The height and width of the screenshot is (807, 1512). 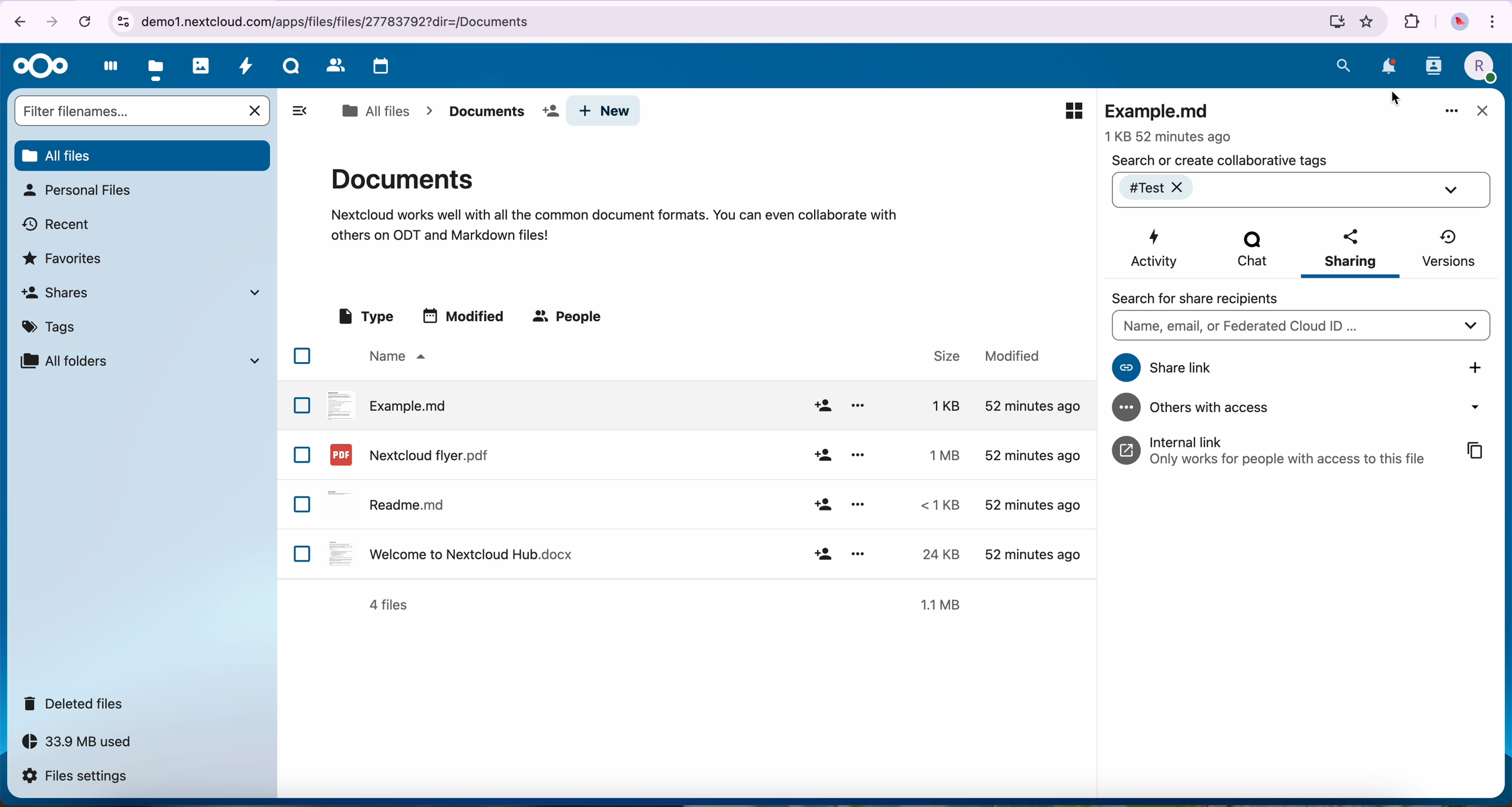 What do you see at coordinates (139, 360) in the screenshot?
I see `all folders tab` at bounding box center [139, 360].